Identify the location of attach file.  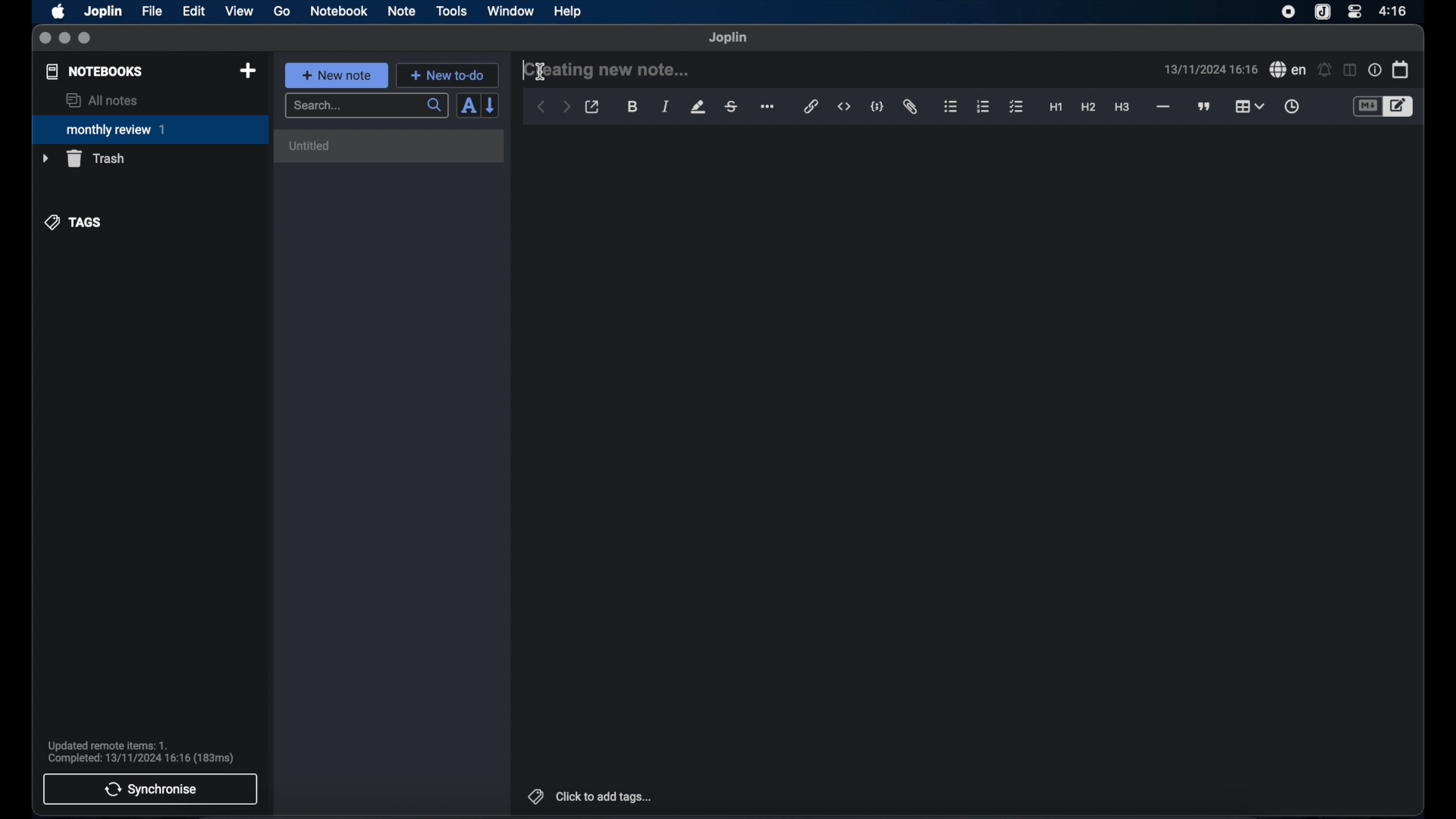
(910, 107).